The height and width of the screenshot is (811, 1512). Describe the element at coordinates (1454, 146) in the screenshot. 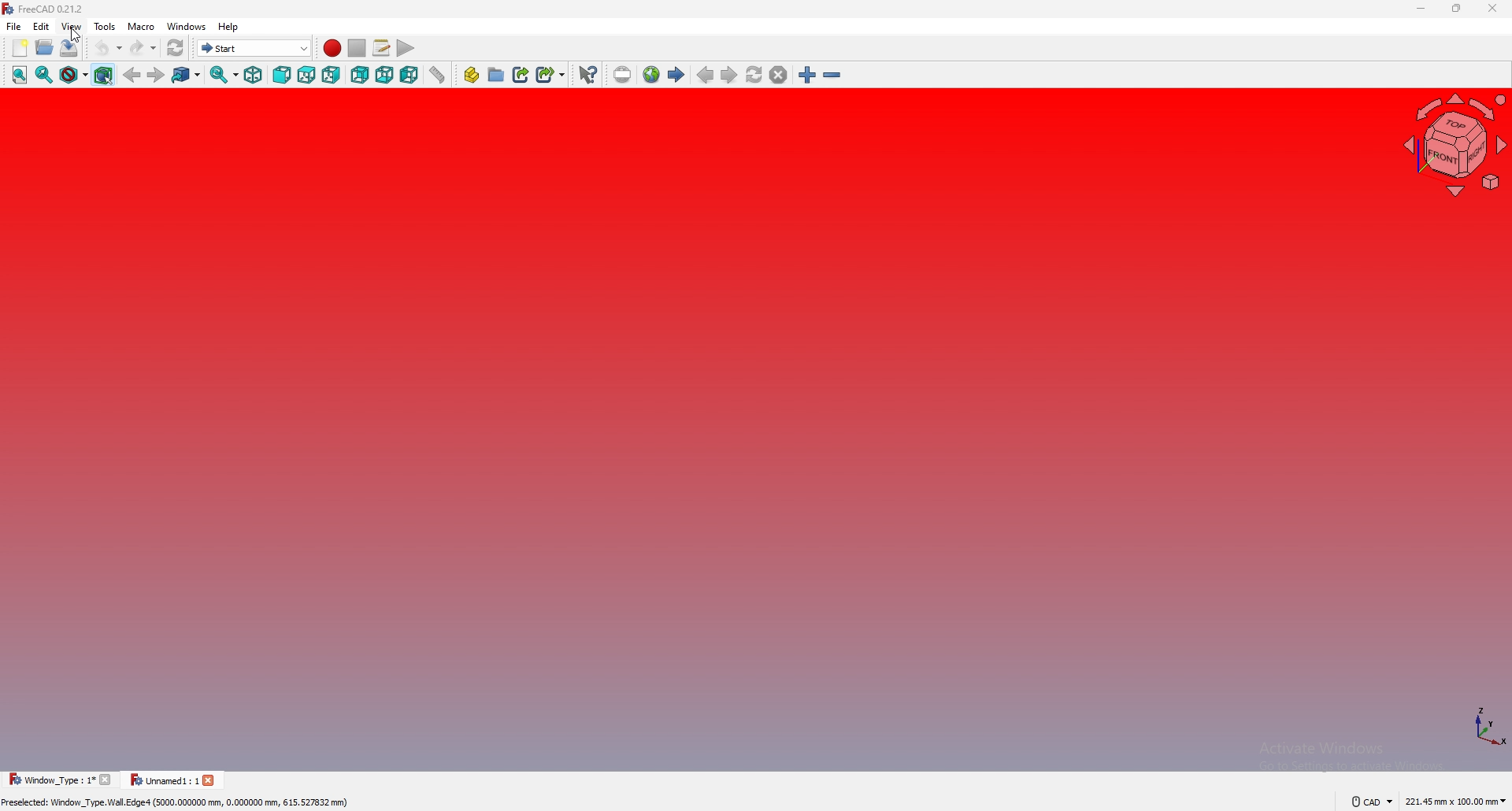

I see `navigating cube` at that location.